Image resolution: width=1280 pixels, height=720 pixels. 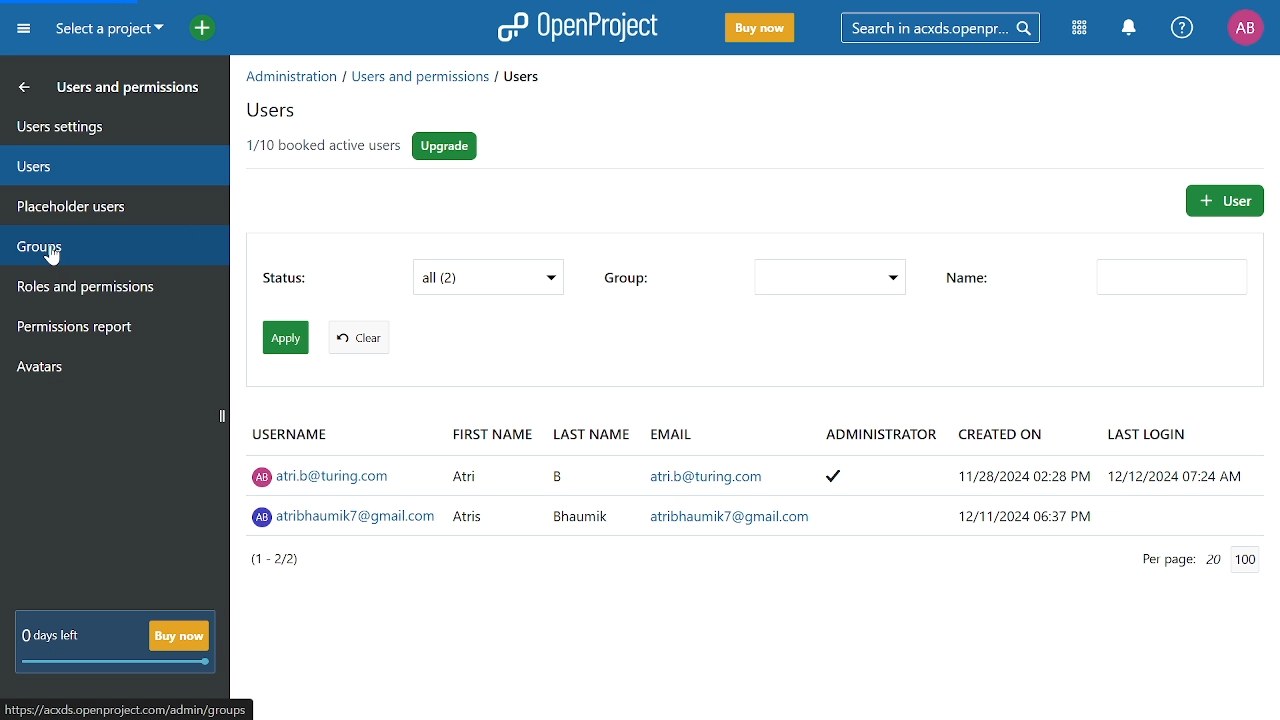 What do you see at coordinates (104, 365) in the screenshot?
I see `avatars` at bounding box center [104, 365].